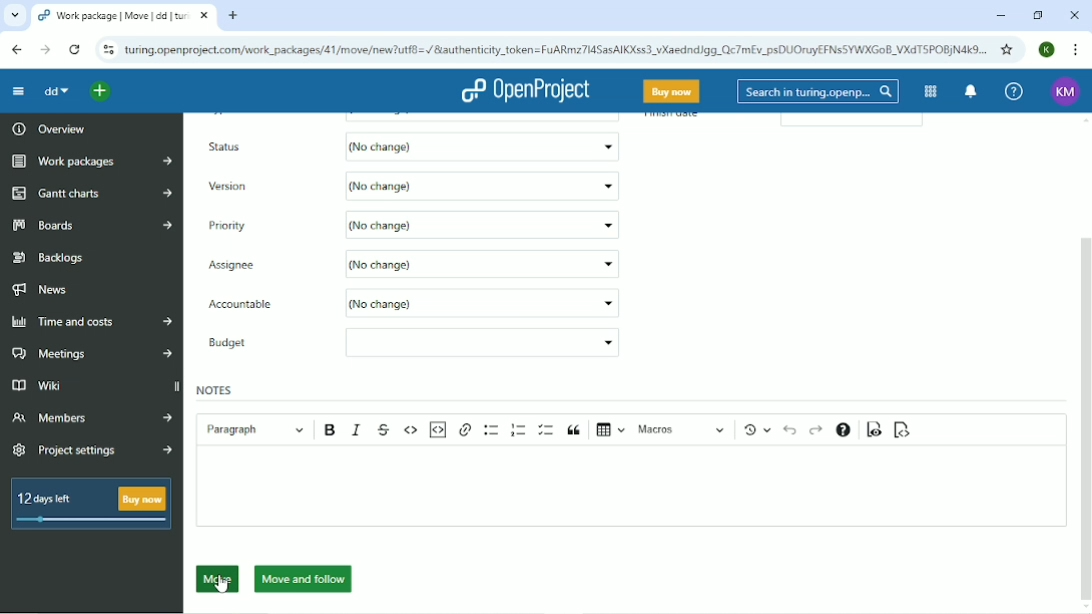 The height and width of the screenshot is (614, 1092). Describe the element at coordinates (101, 93) in the screenshot. I see `Open quick add menu` at that location.